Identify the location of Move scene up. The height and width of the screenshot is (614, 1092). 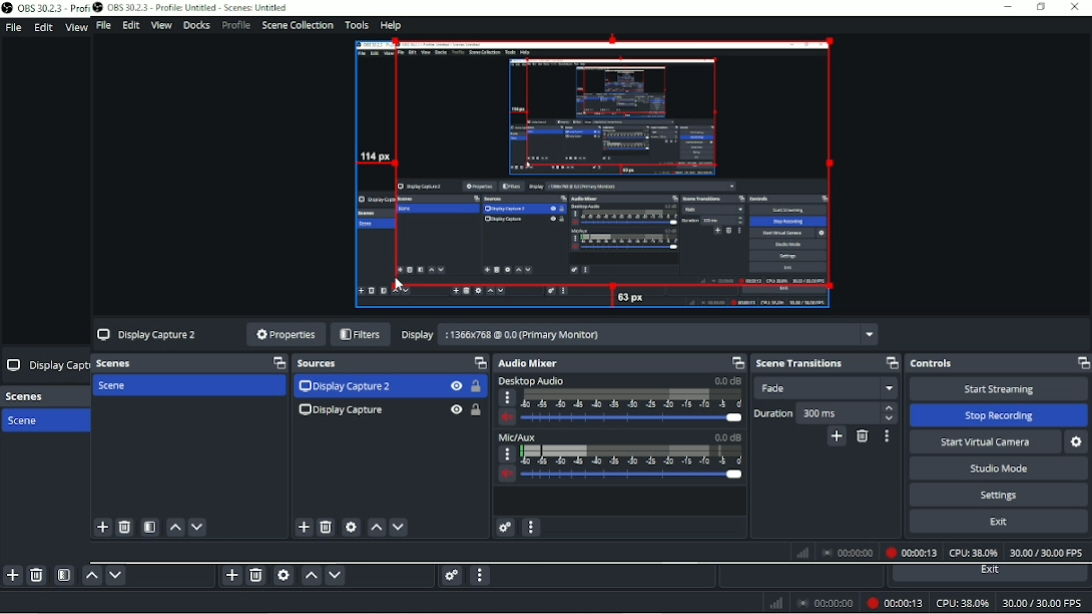
(92, 575).